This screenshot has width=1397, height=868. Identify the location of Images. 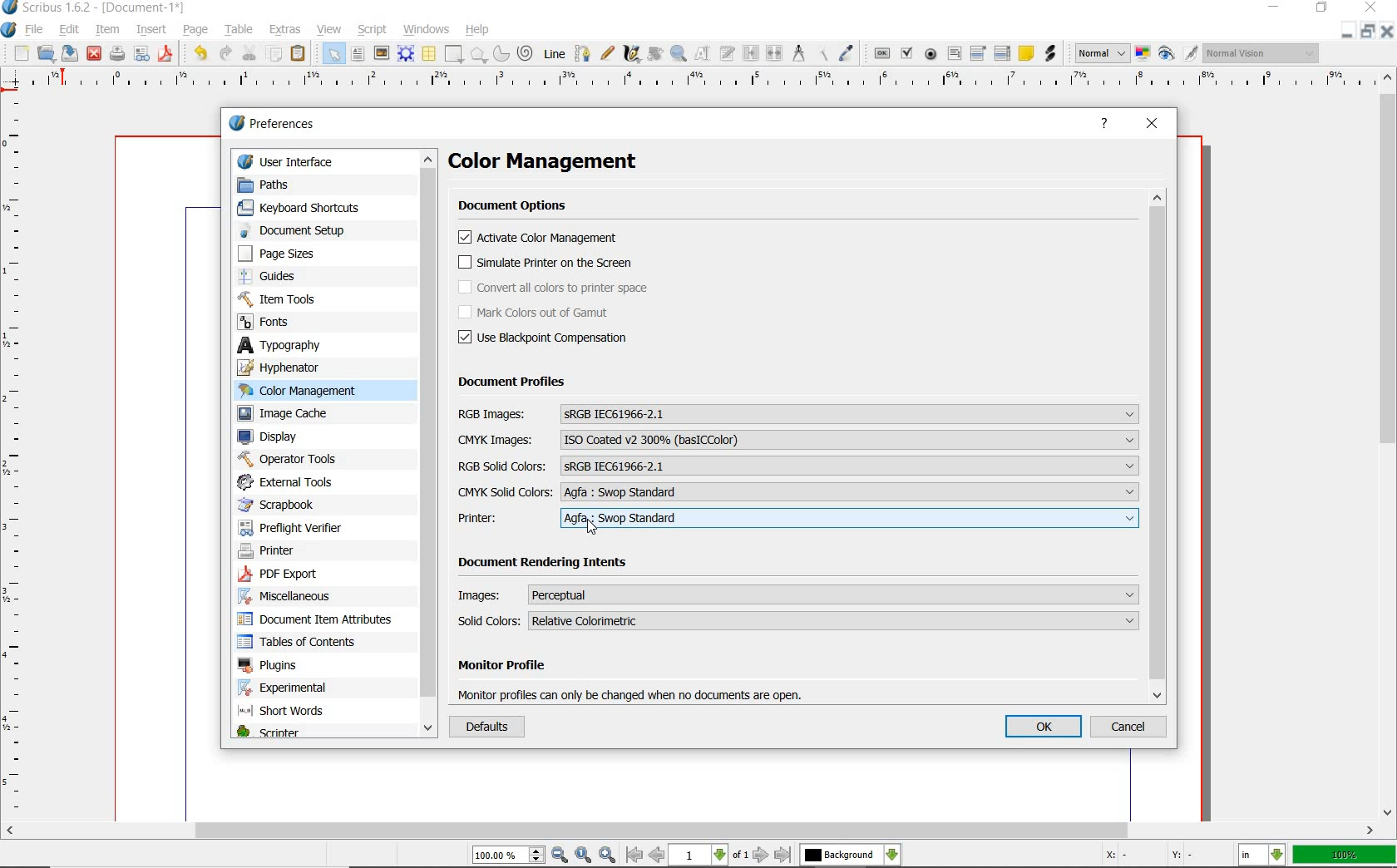
(798, 594).